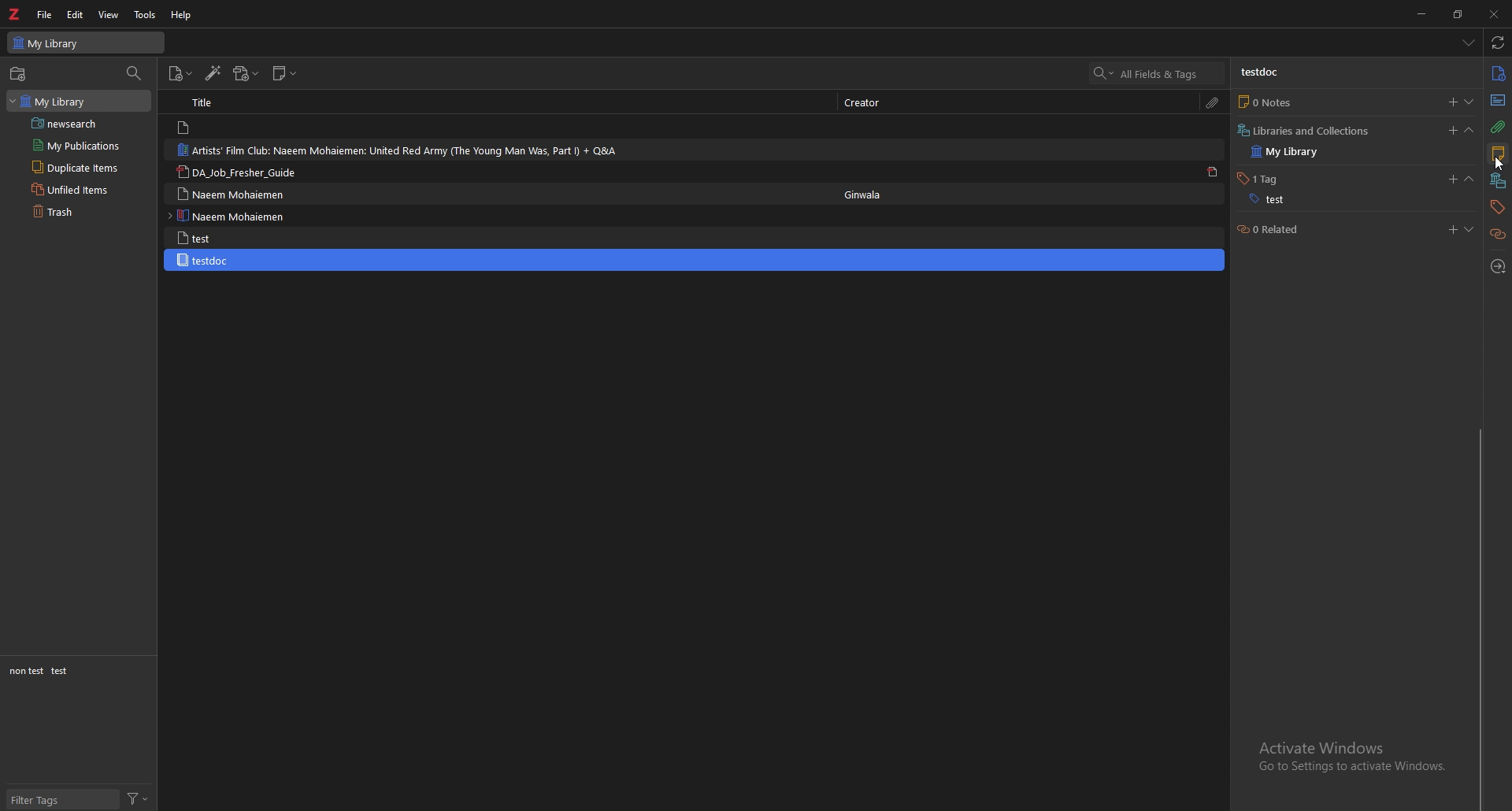 Image resolution: width=1512 pixels, height=811 pixels. Describe the element at coordinates (1452, 230) in the screenshot. I see `add related` at that location.